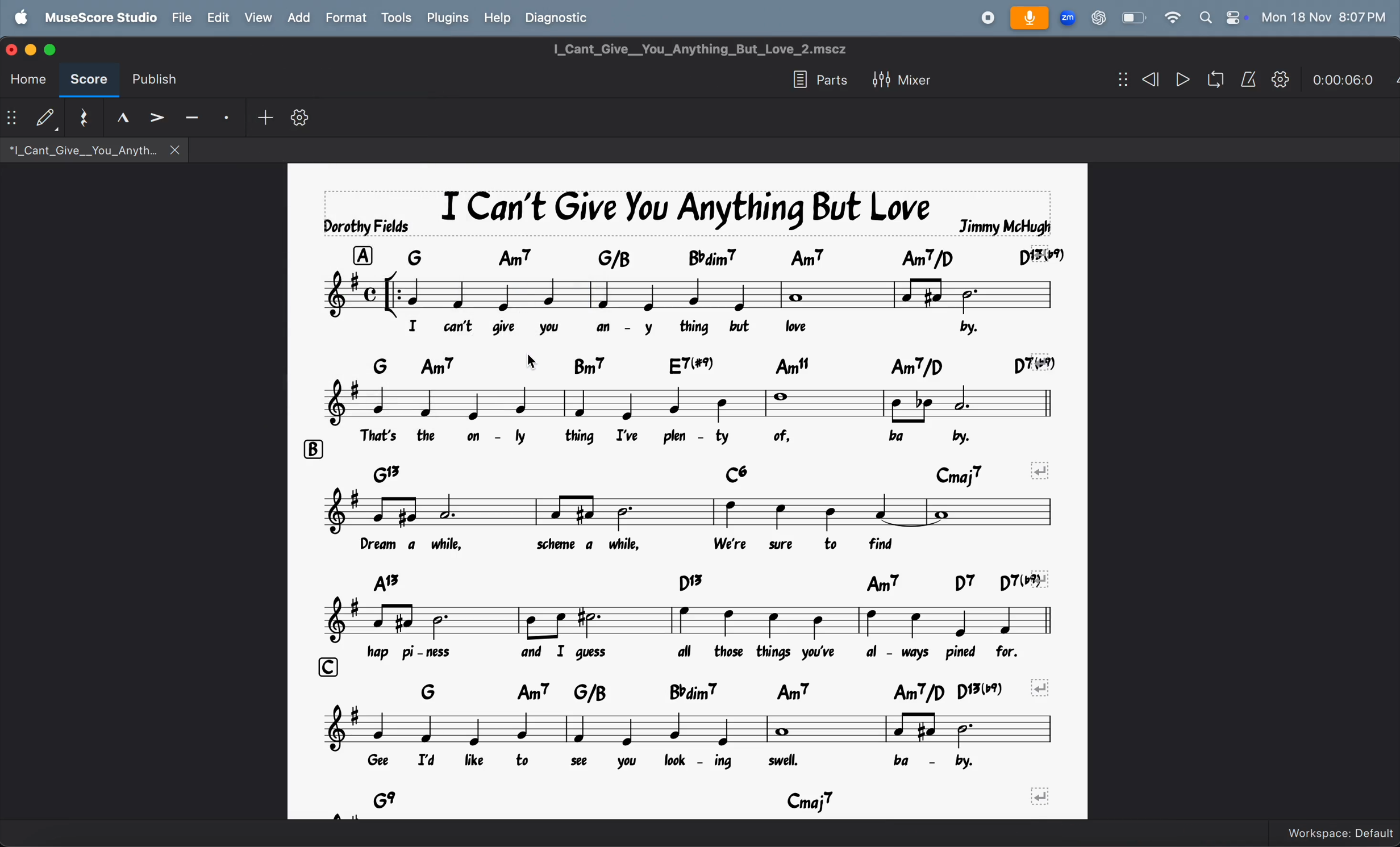 This screenshot has width=1400, height=847. Describe the element at coordinates (262, 115) in the screenshot. I see `add` at that location.